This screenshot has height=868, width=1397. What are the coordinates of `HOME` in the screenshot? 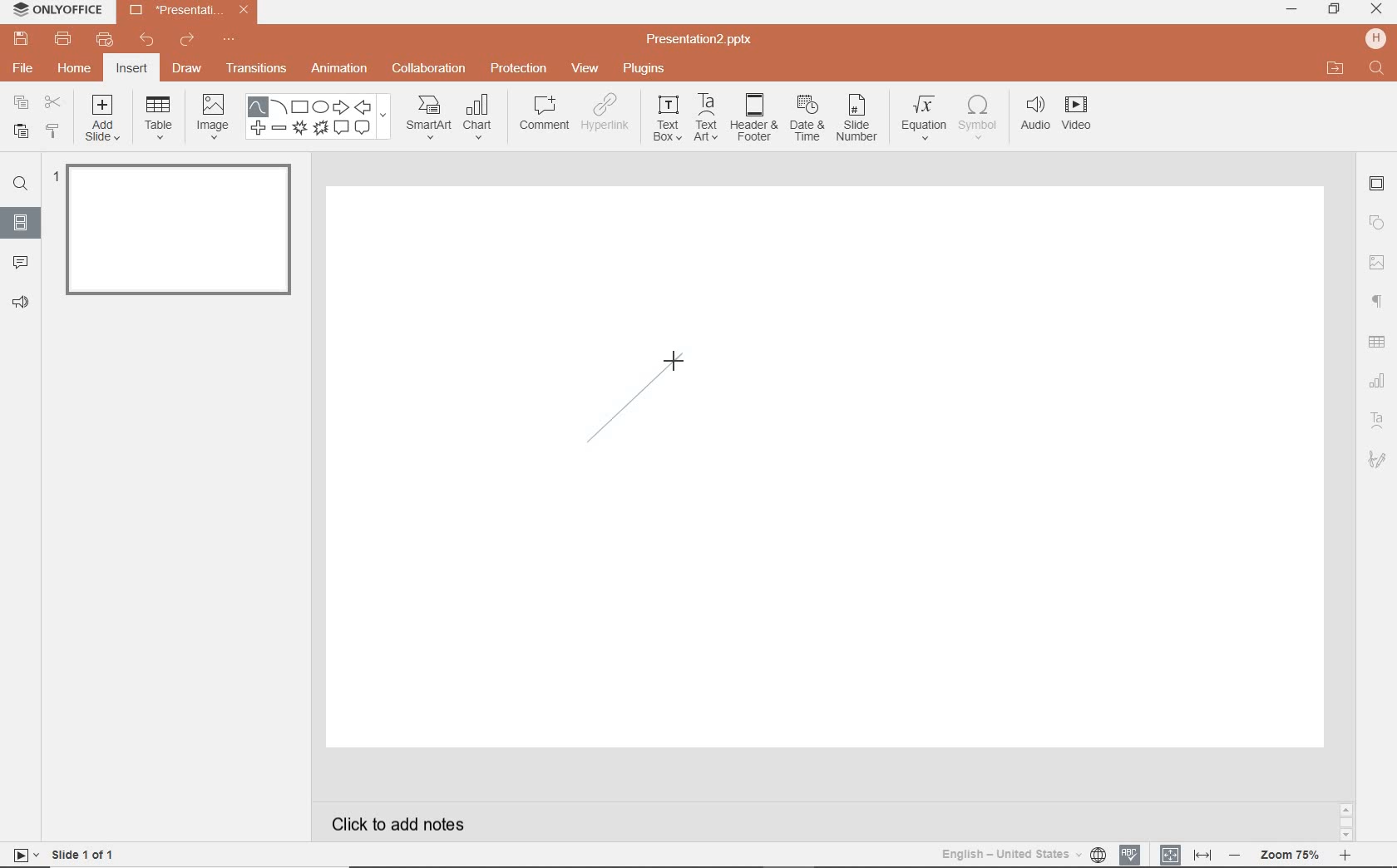 It's located at (73, 70).